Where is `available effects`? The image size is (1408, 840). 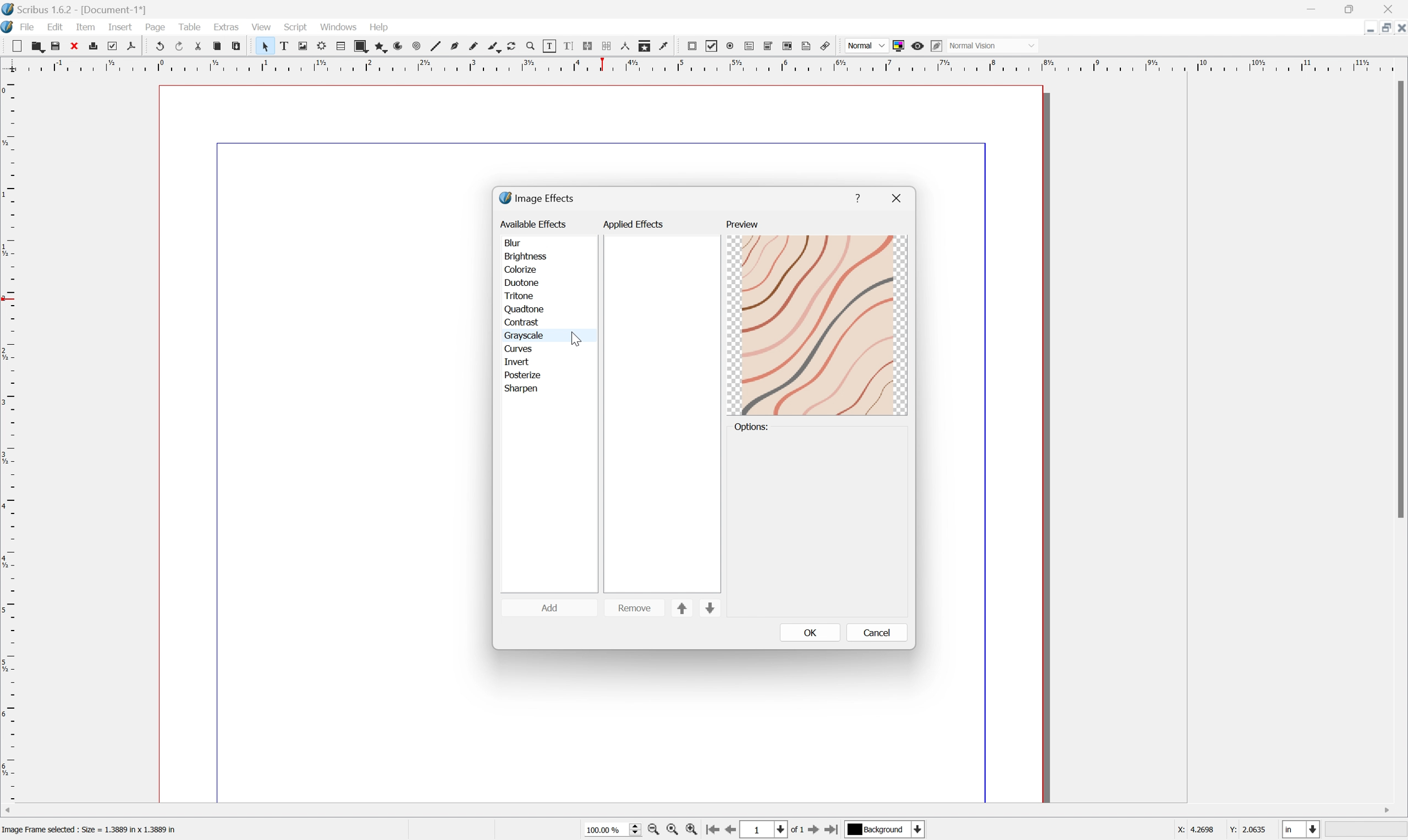 available effects is located at coordinates (534, 224).